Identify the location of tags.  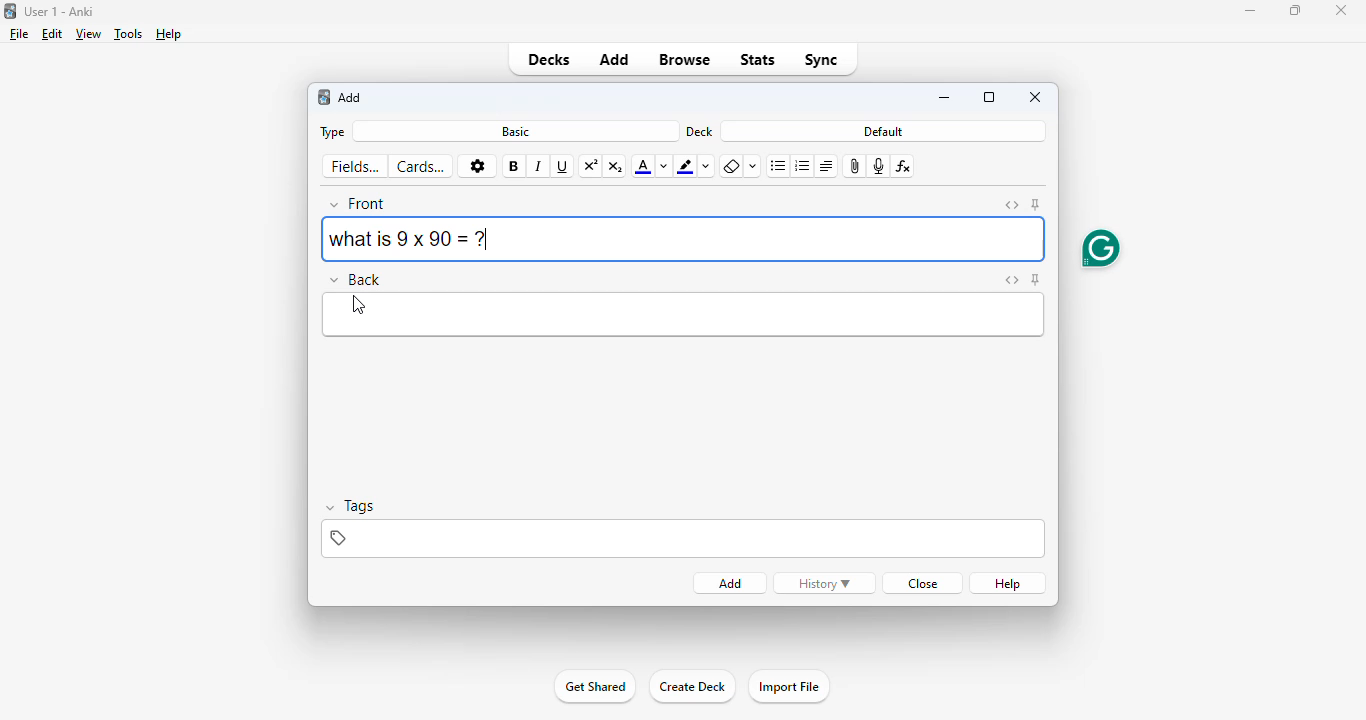
(683, 539).